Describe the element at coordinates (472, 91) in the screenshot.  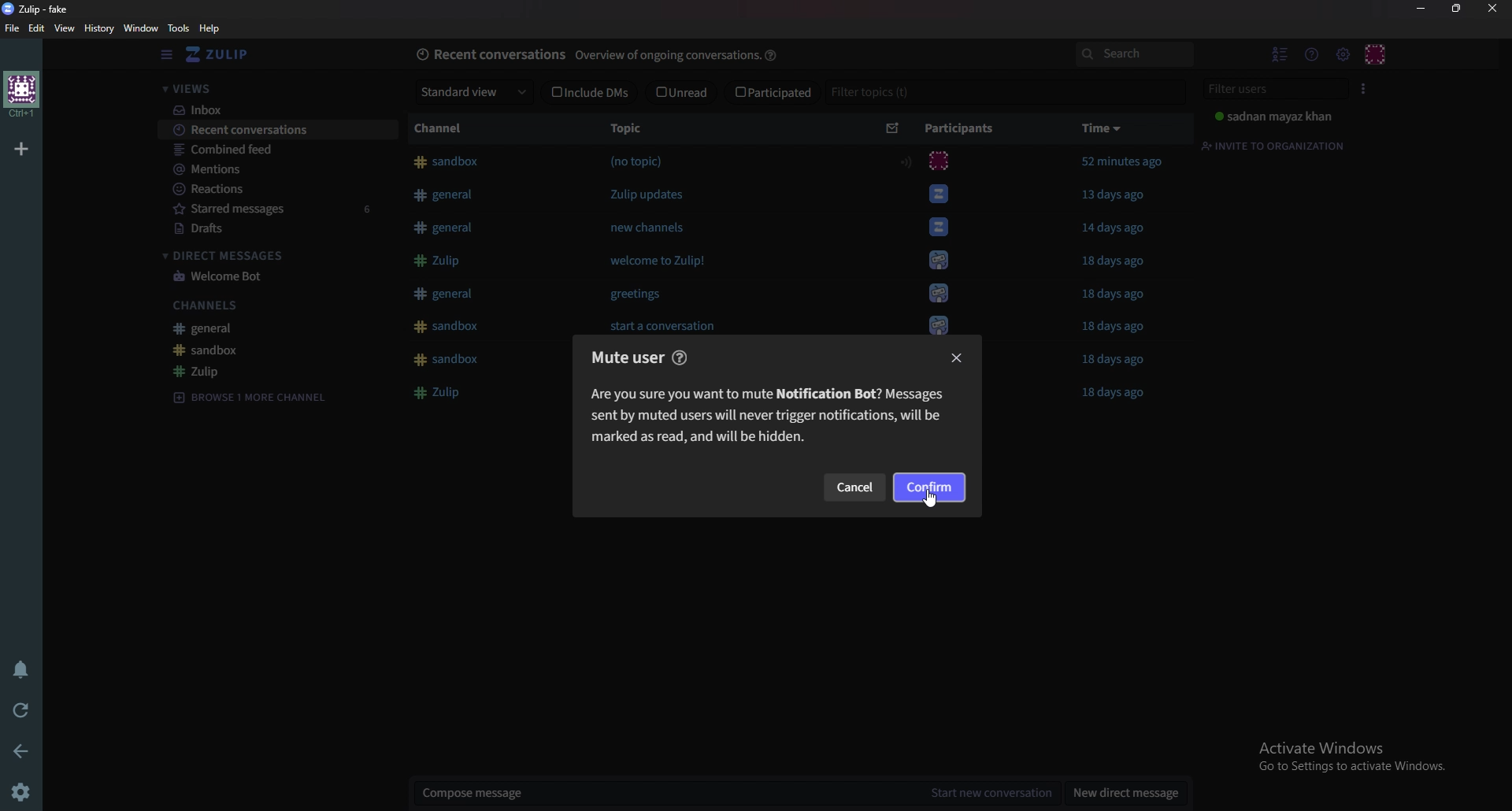
I see `Standard view` at that location.